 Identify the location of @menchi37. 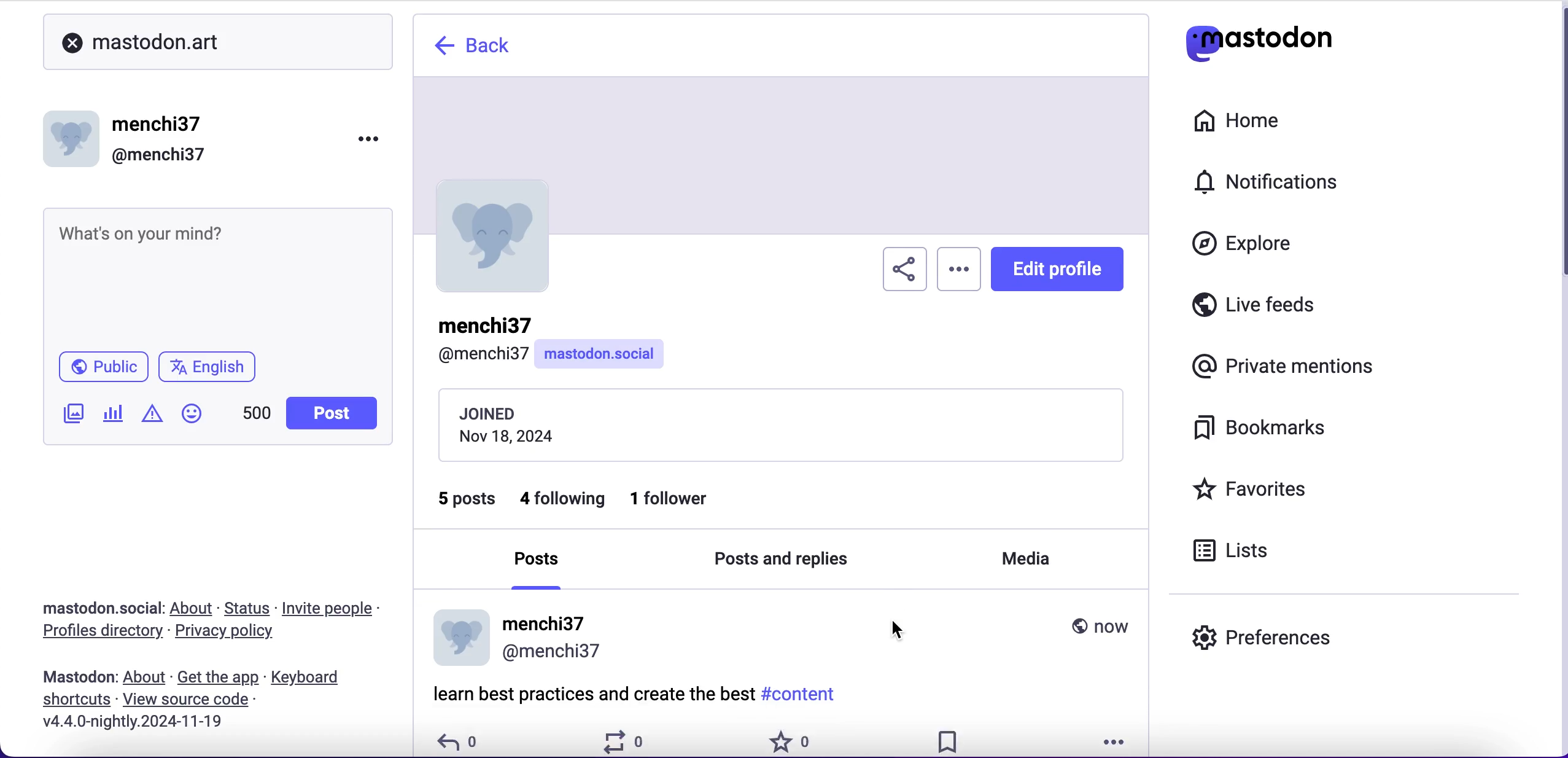
(159, 155).